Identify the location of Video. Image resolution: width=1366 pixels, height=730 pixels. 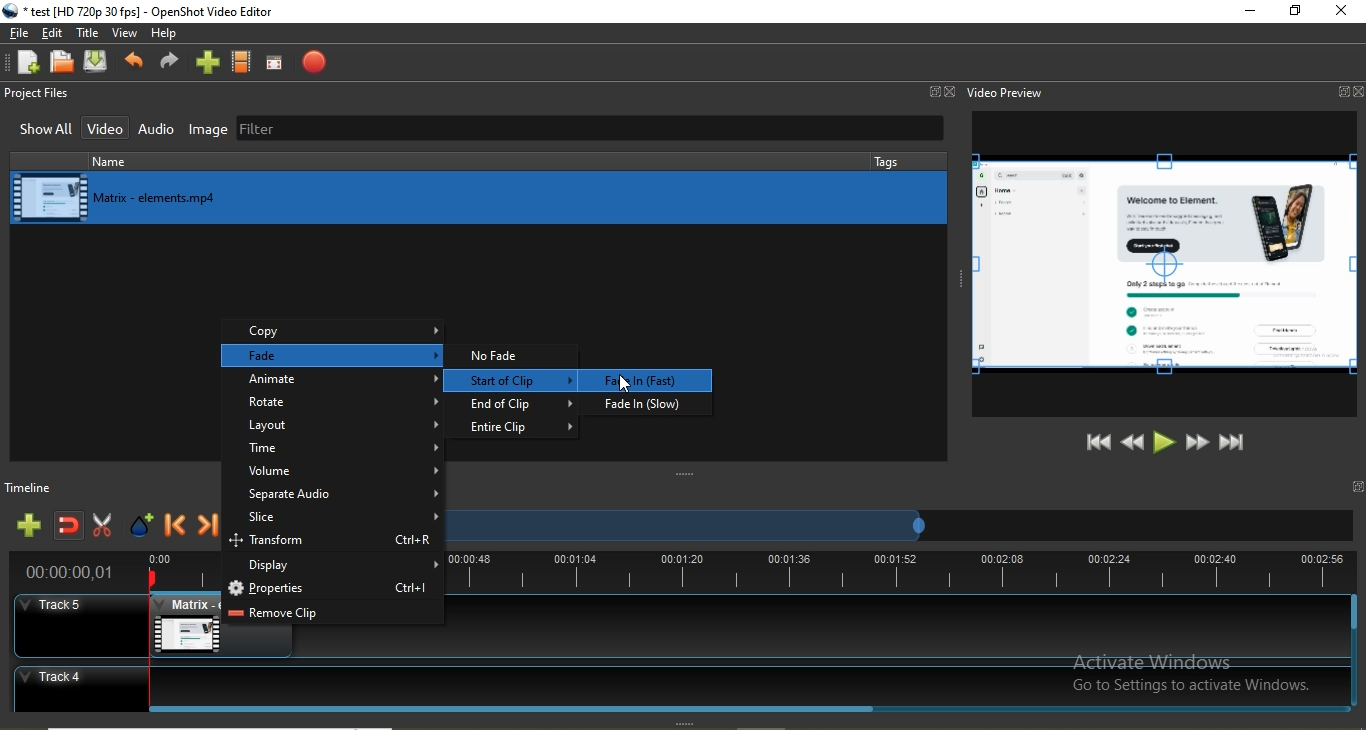
(107, 128).